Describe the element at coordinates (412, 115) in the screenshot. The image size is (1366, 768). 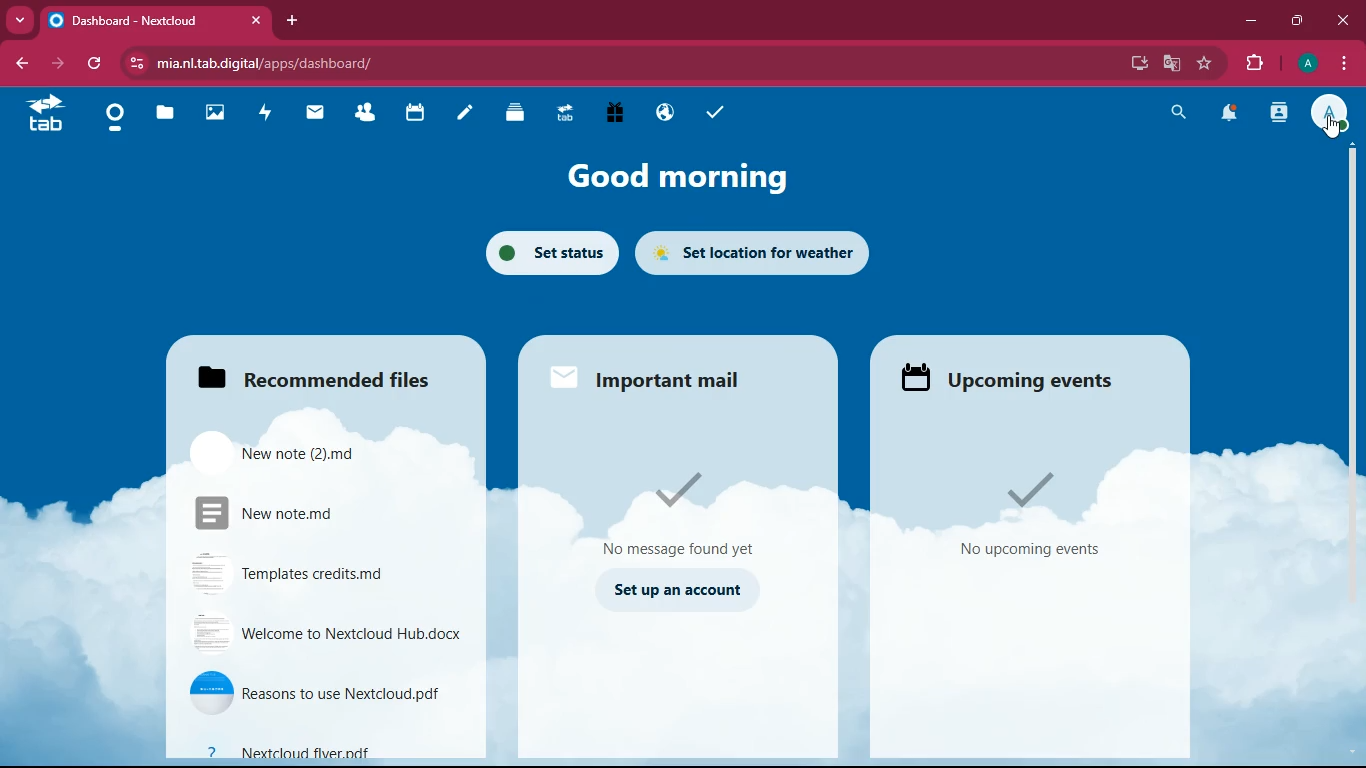
I see `calendar` at that location.